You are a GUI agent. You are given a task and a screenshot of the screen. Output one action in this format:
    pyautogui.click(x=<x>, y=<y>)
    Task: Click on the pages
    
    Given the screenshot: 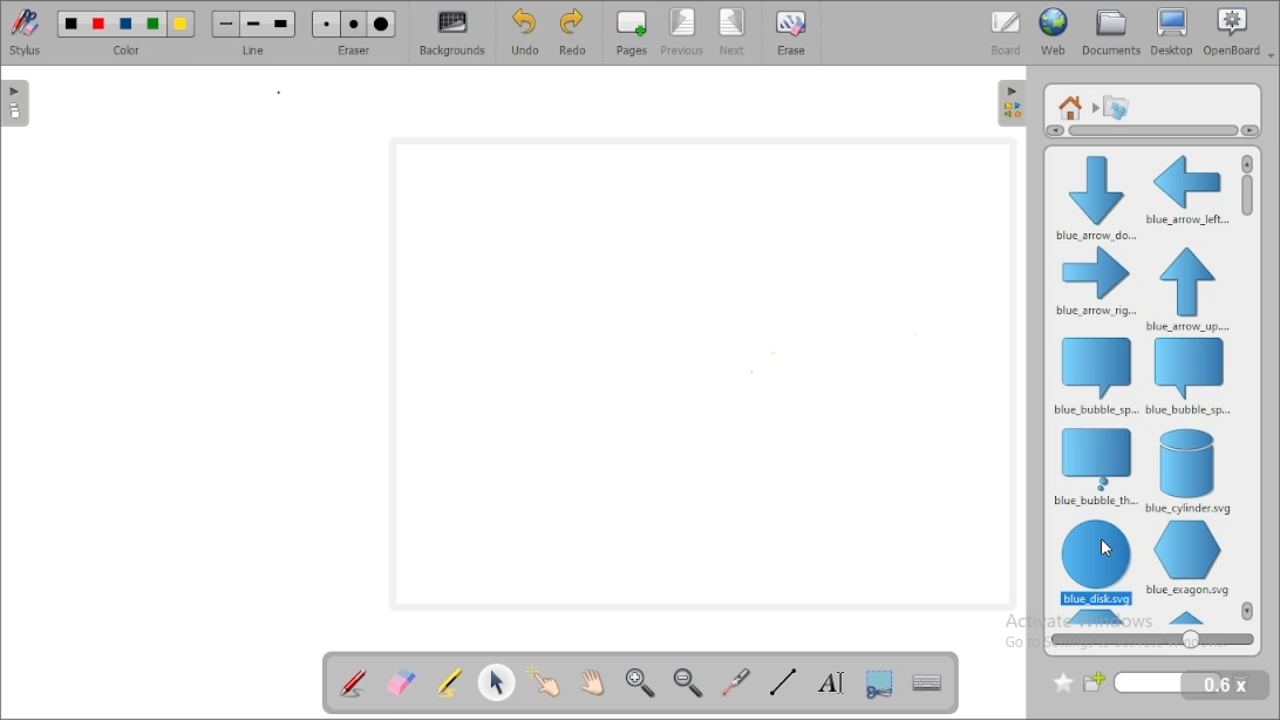 What is the action you would take?
    pyautogui.click(x=631, y=33)
    